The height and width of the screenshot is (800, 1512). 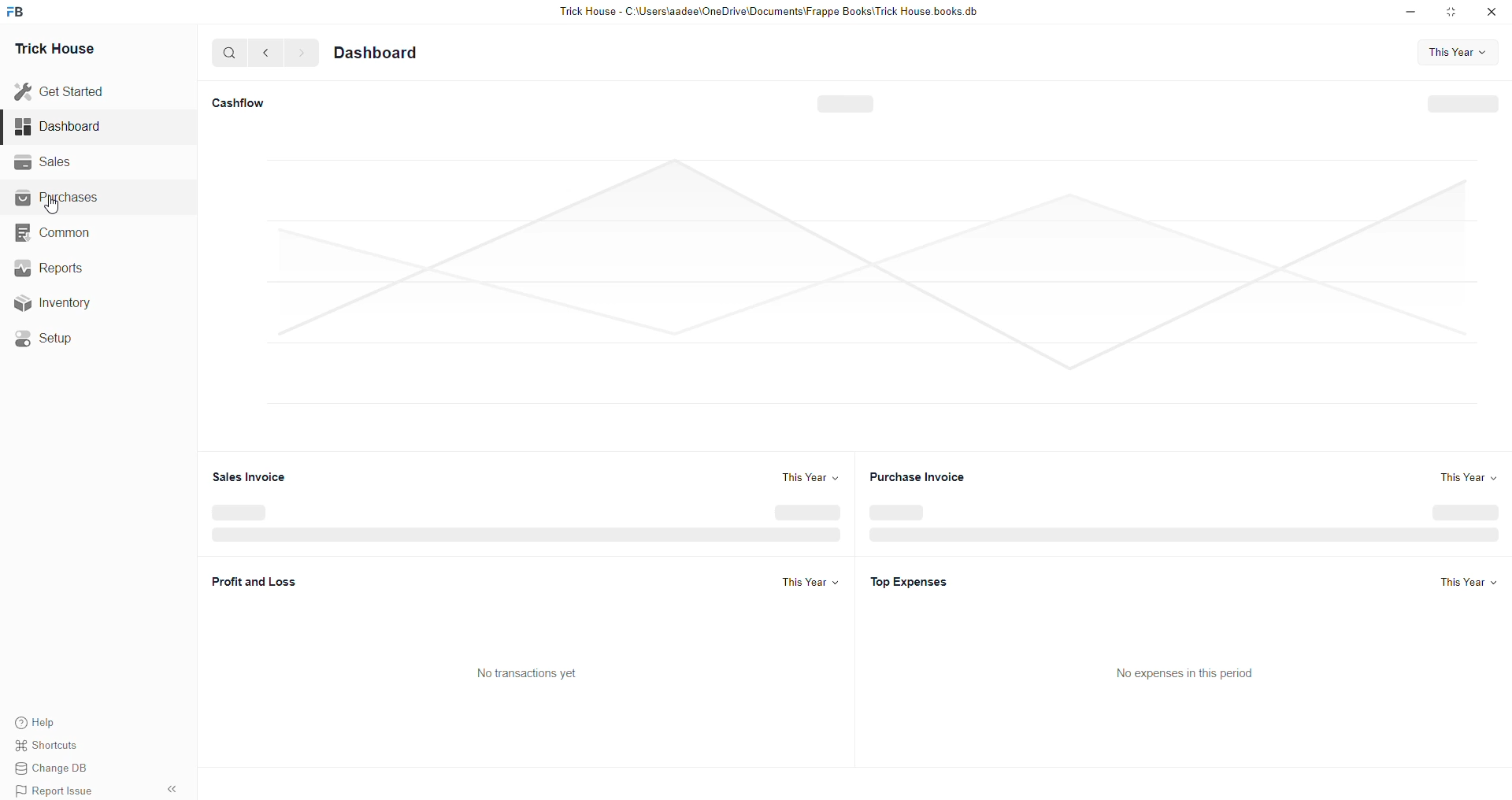 I want to click on Report Issue, so click(x=59, y=791).